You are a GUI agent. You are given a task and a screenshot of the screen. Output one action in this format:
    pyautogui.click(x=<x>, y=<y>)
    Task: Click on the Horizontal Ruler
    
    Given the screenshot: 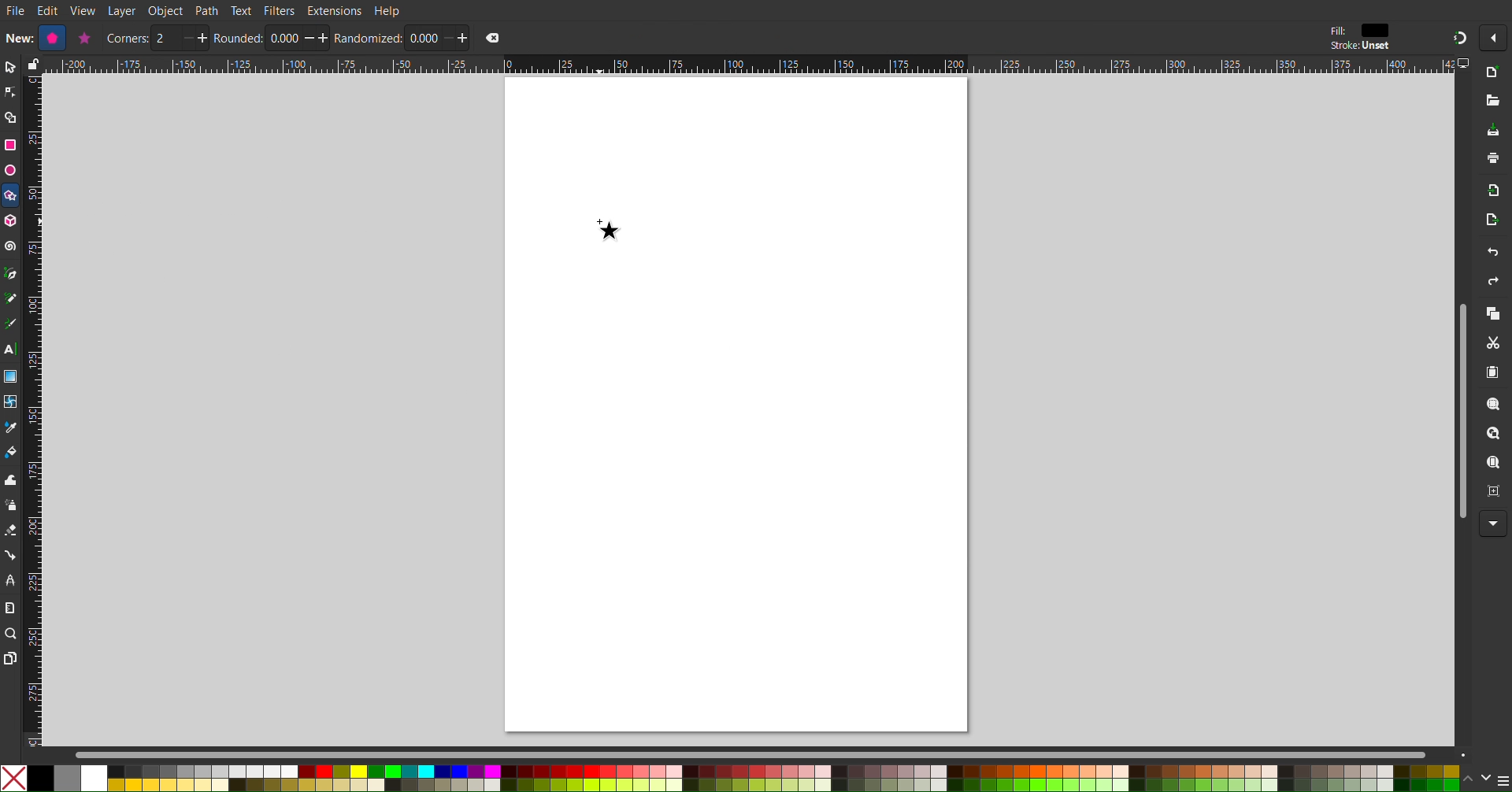 What is the action you would take?
    pyautogui.click(x=748, y=65)
    